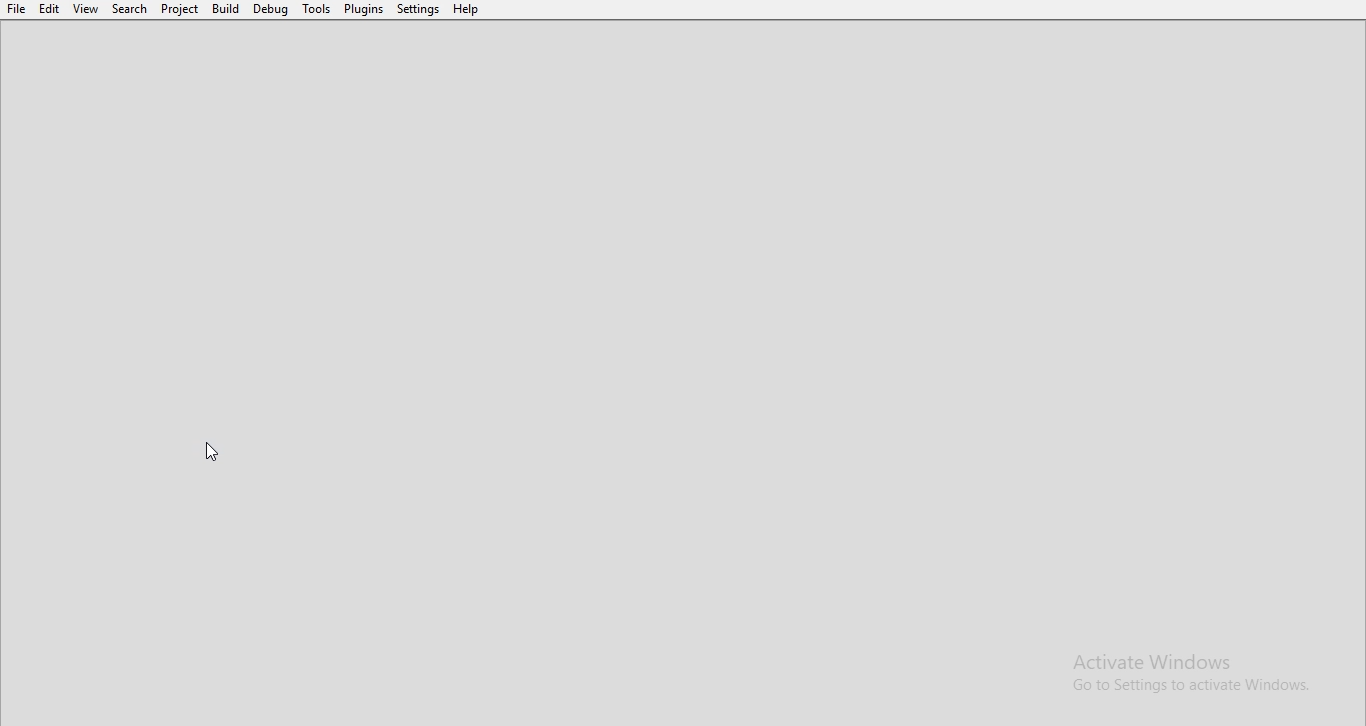  What do you see at coordinates (417, 9) in the screenshot?
I see `Settings ` at bounding box center [417, 9].